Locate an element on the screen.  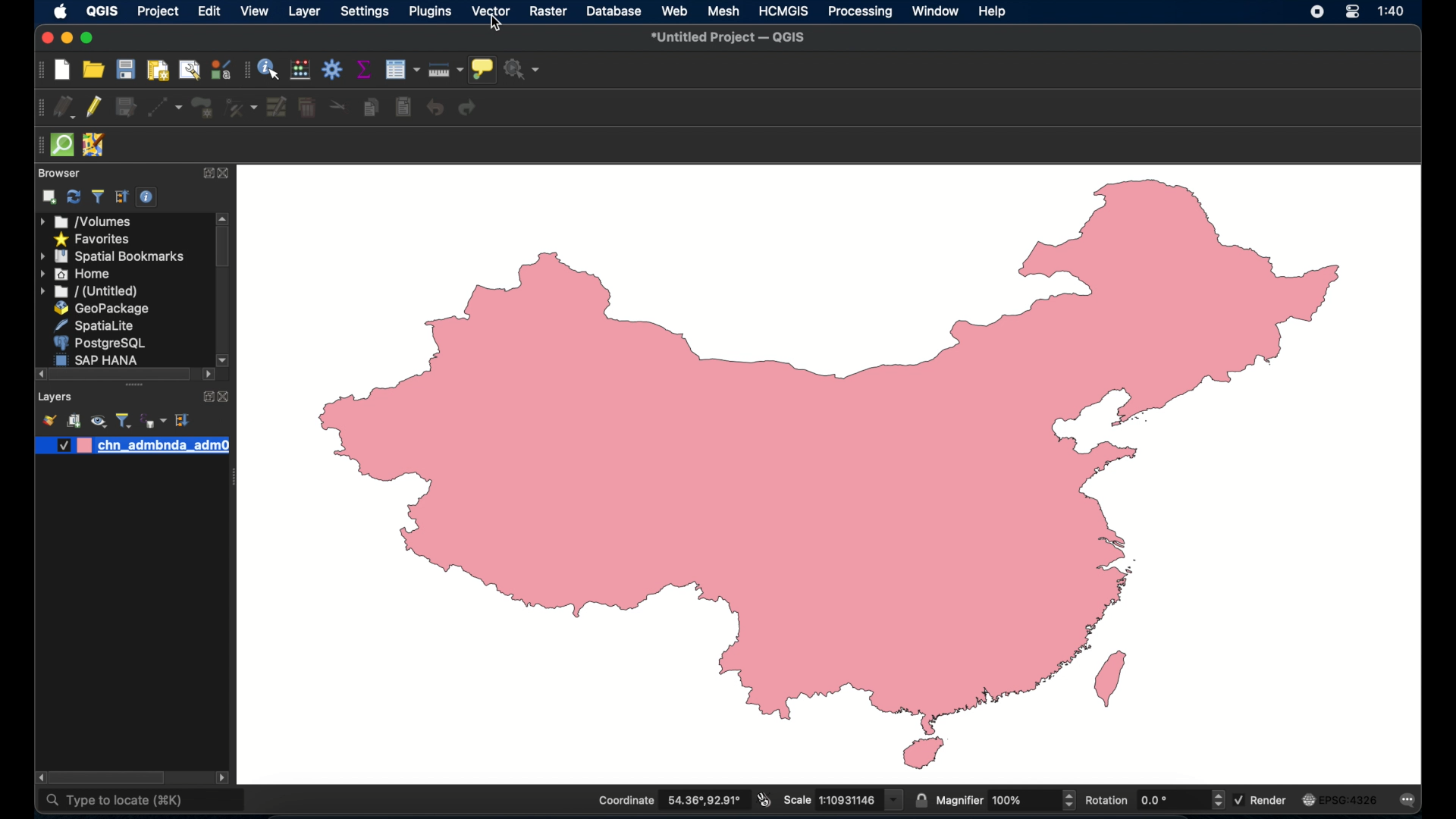
mesh is located at coordinates (724, 11).